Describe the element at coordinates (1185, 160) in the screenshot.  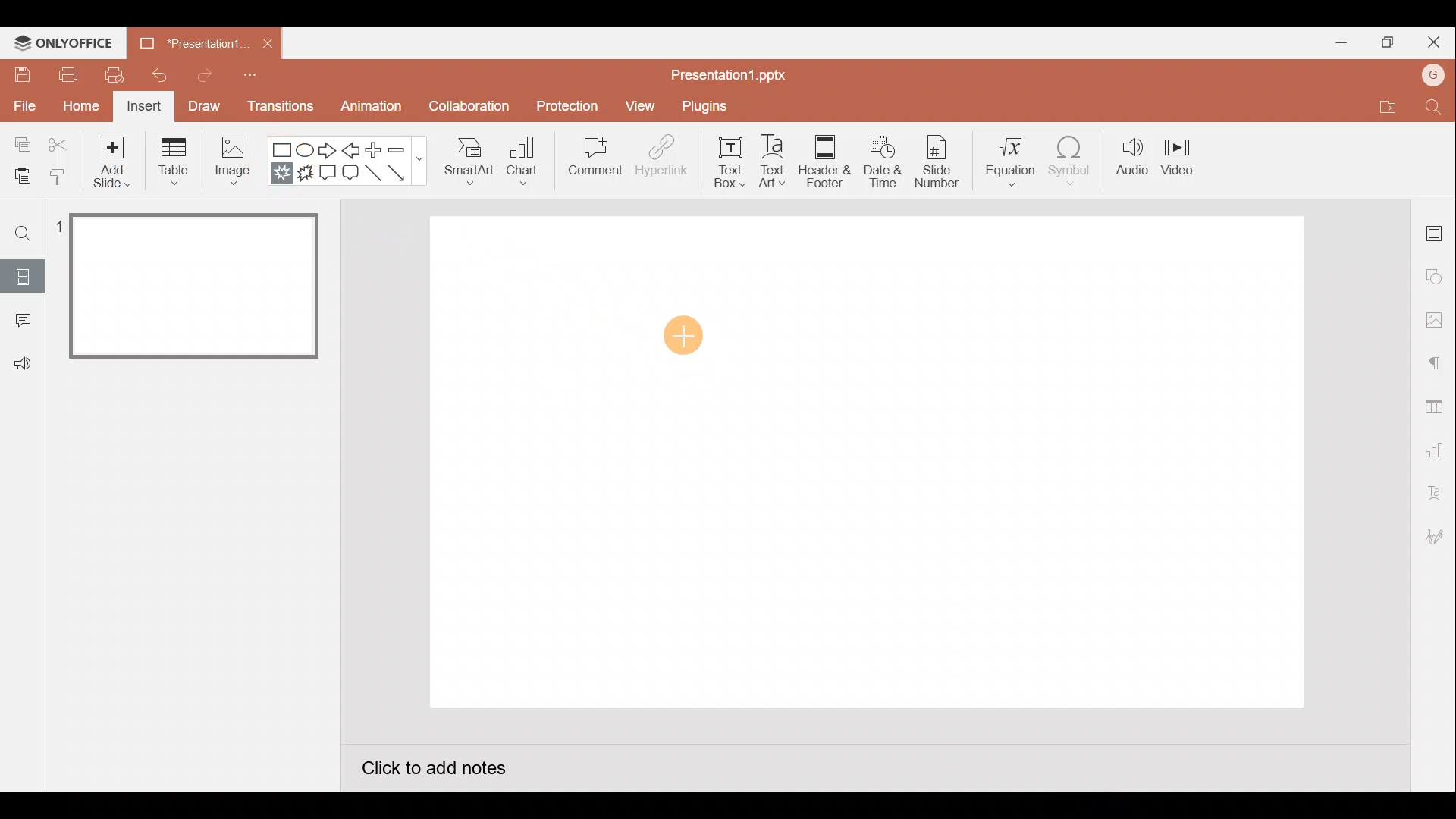
I see `Video` at that location.